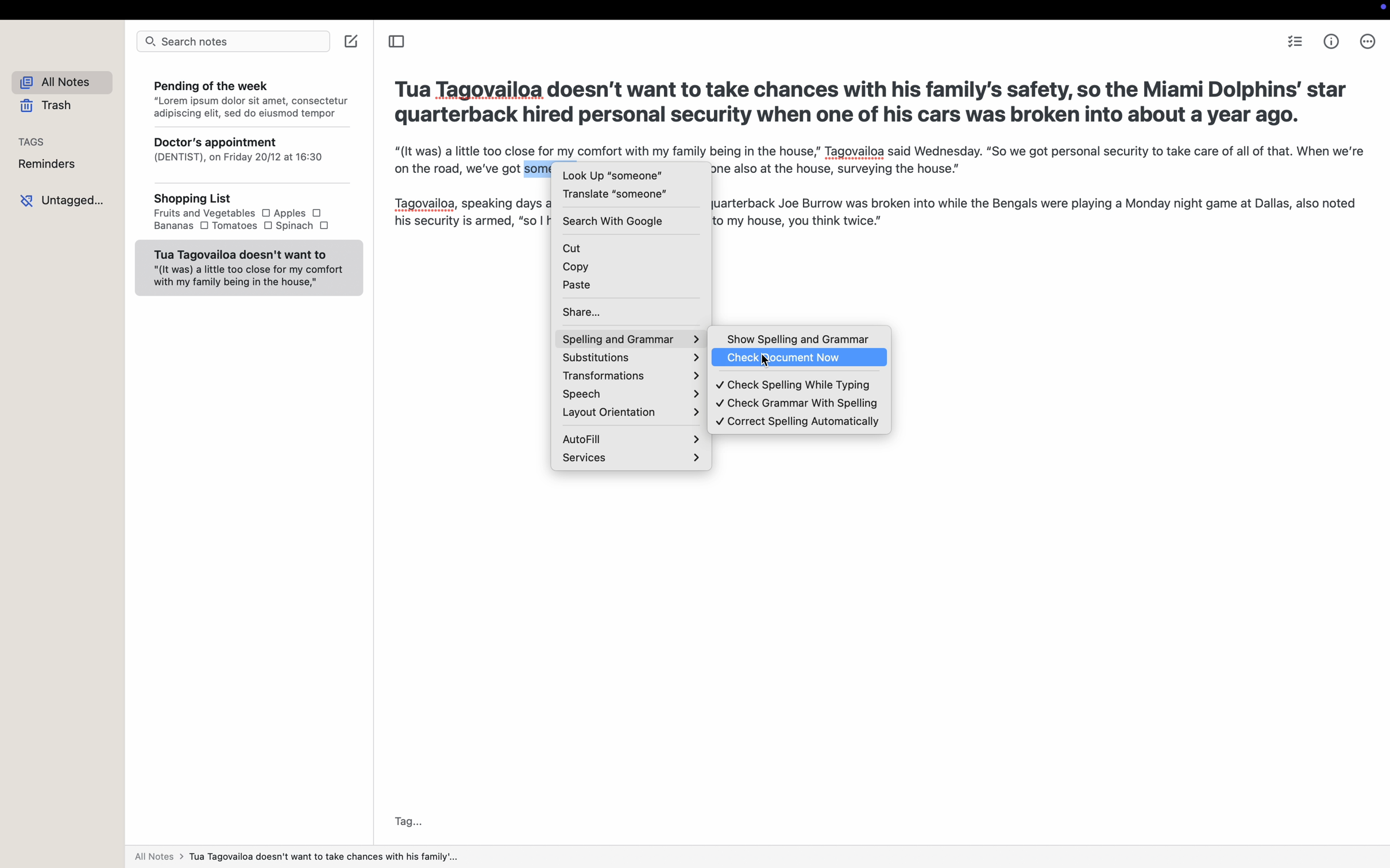 The height and width of the screenshot is (868, 1390). What do you see at coordinates (352, 42) in the screenshot?
I see `create note` at bounding box center [352, 42].